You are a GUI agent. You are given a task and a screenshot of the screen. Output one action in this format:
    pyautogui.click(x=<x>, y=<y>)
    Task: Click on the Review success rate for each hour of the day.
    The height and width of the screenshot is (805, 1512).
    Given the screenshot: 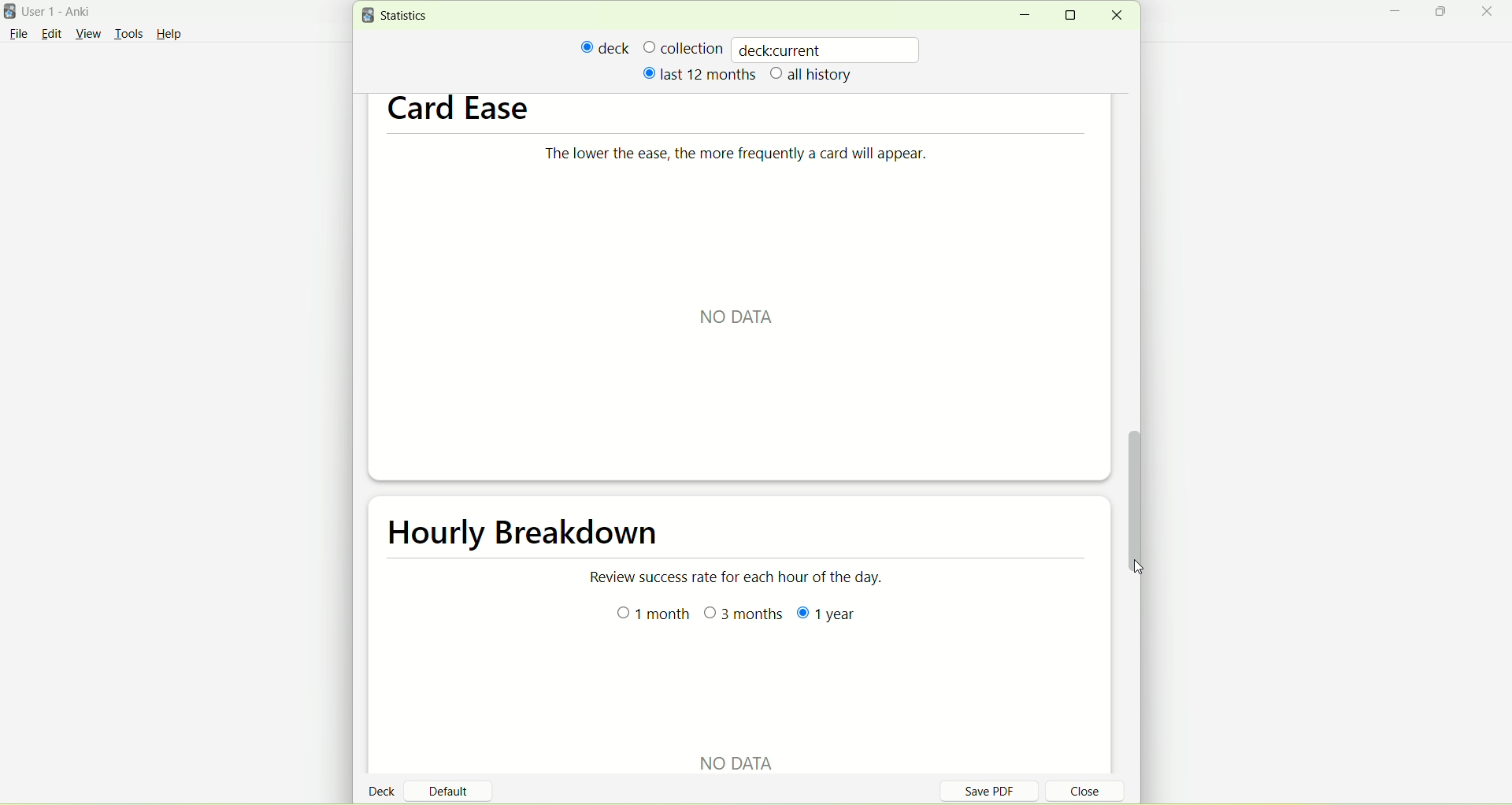 What is the action you would take?
    pyautogui.click(x=741, y=580)
    